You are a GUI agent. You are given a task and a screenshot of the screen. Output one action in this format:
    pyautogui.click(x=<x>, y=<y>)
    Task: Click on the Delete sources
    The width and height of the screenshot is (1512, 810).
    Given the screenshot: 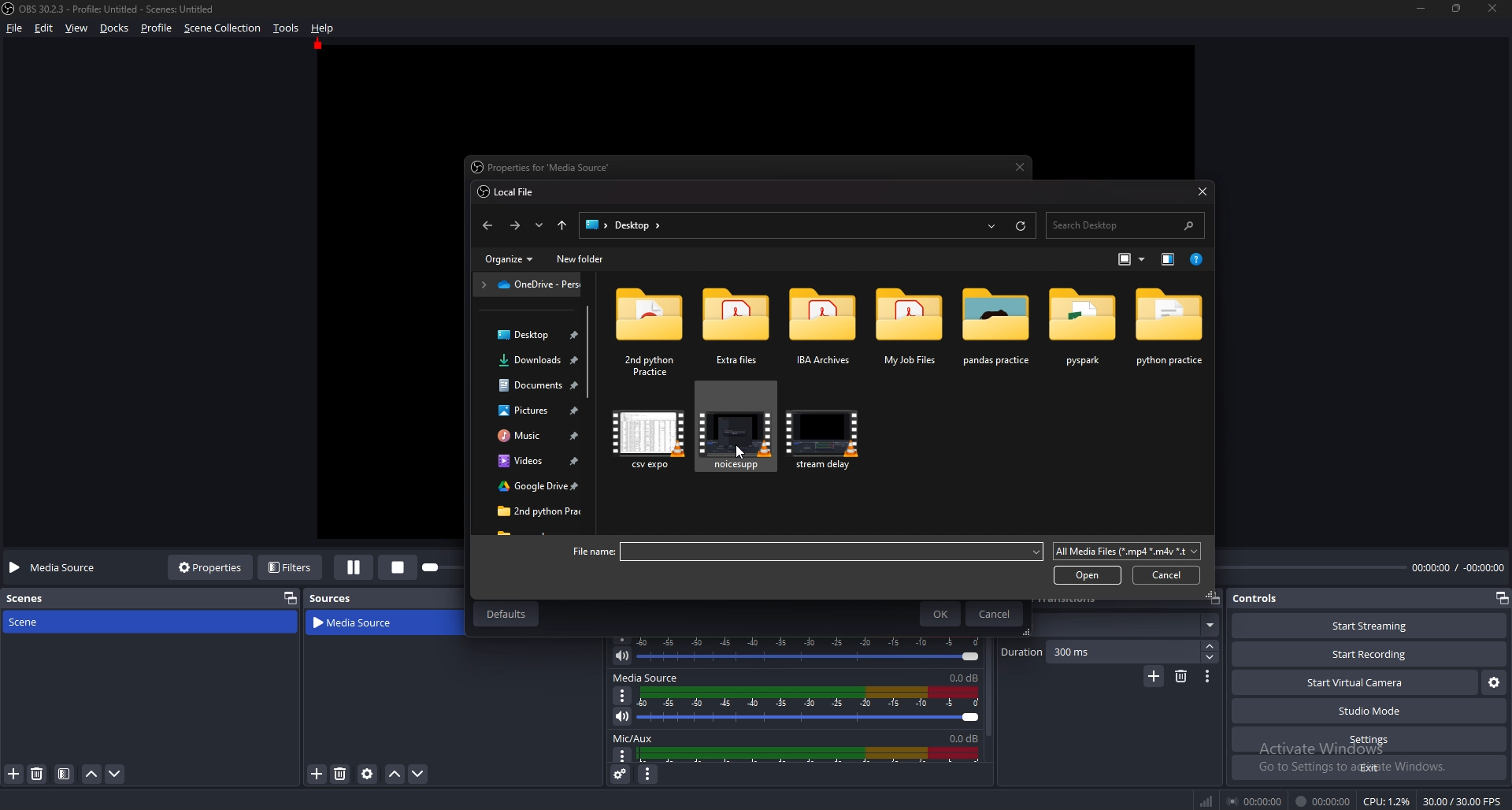 What is the action you would take?
    pyautogui.click(x=341, y=774)
    